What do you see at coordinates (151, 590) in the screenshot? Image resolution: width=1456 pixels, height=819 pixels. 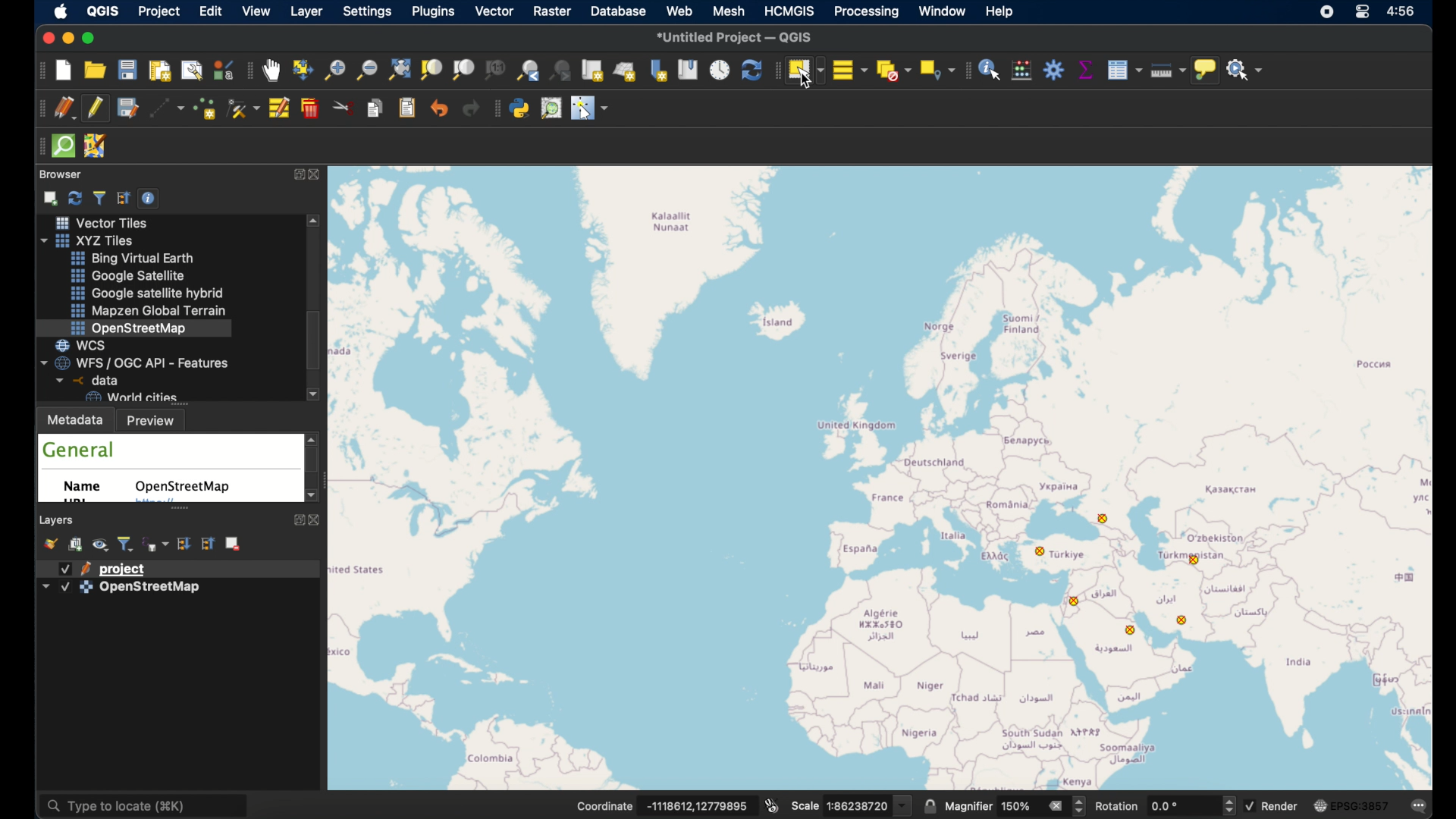 I see `openstreetmap layer` at bounding box center [151, 590].